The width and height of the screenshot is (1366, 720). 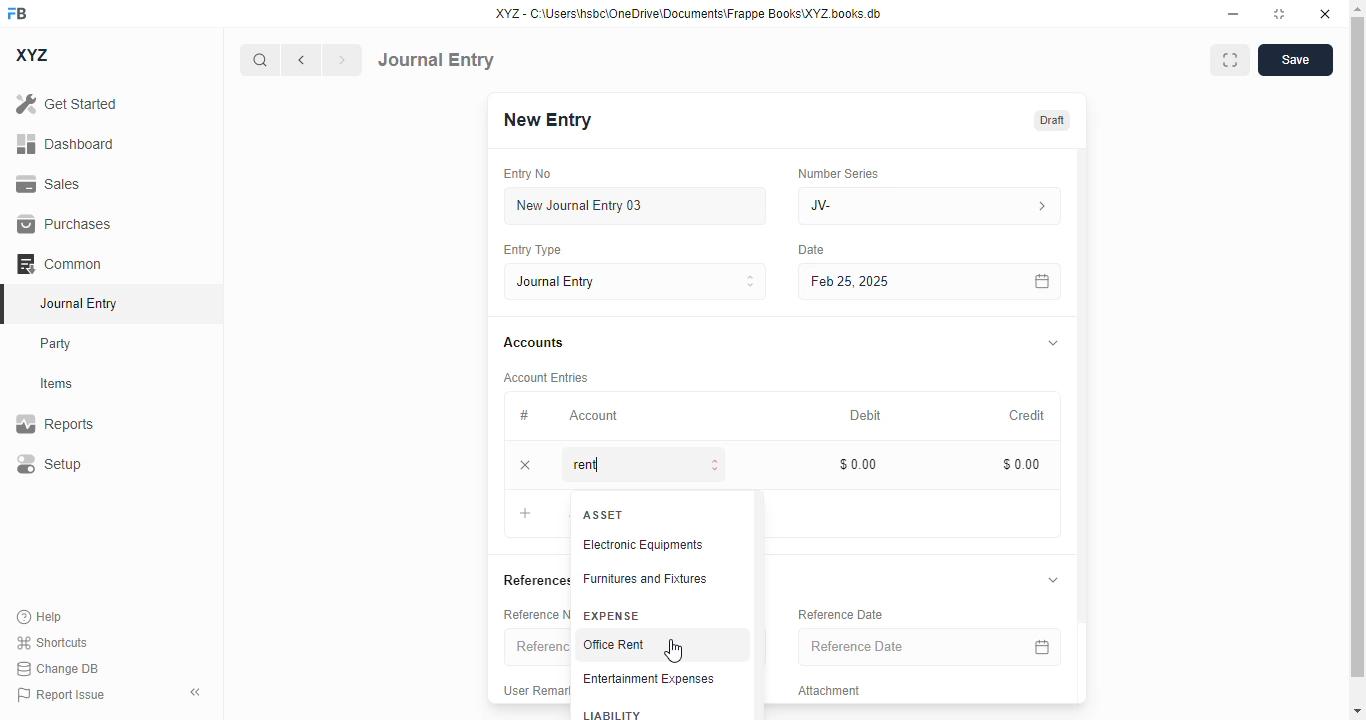 I want to click on reports, so click(x=55, y=423).